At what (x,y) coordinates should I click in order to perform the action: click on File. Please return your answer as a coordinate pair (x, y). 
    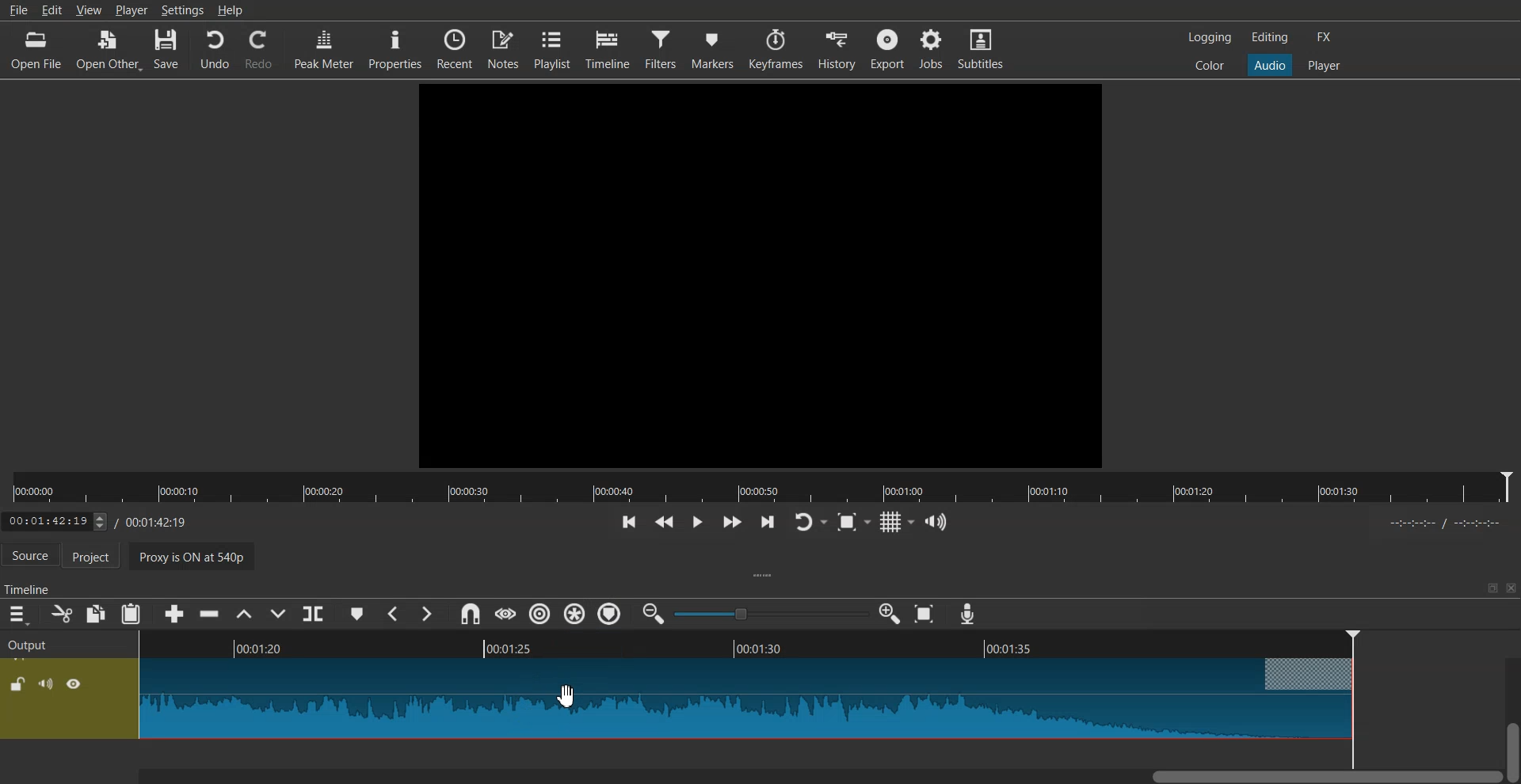
    Looking at the image, I should click on (17, 11).